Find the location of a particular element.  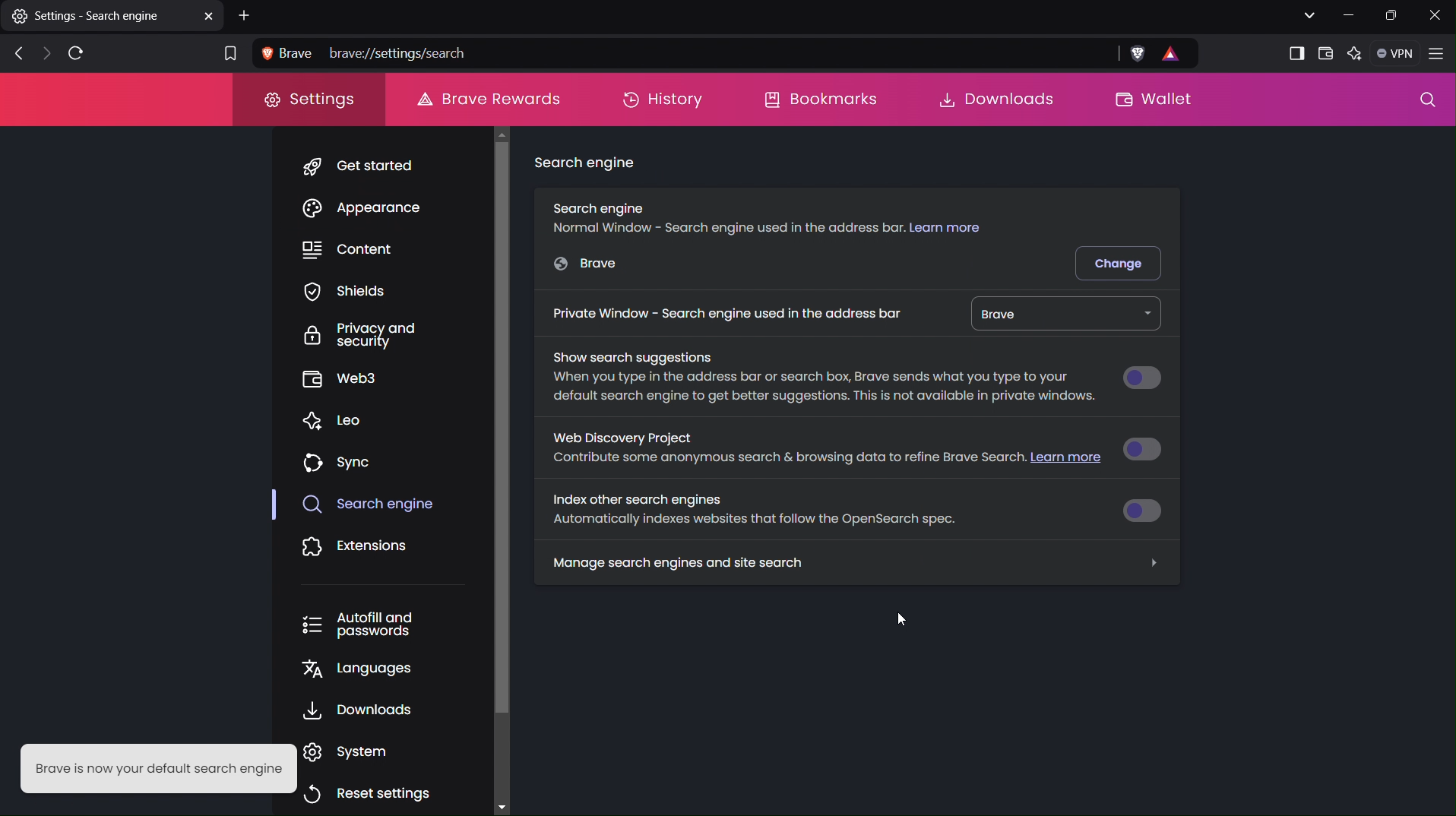

Brave Shield is located at coordinates (1137, 54).